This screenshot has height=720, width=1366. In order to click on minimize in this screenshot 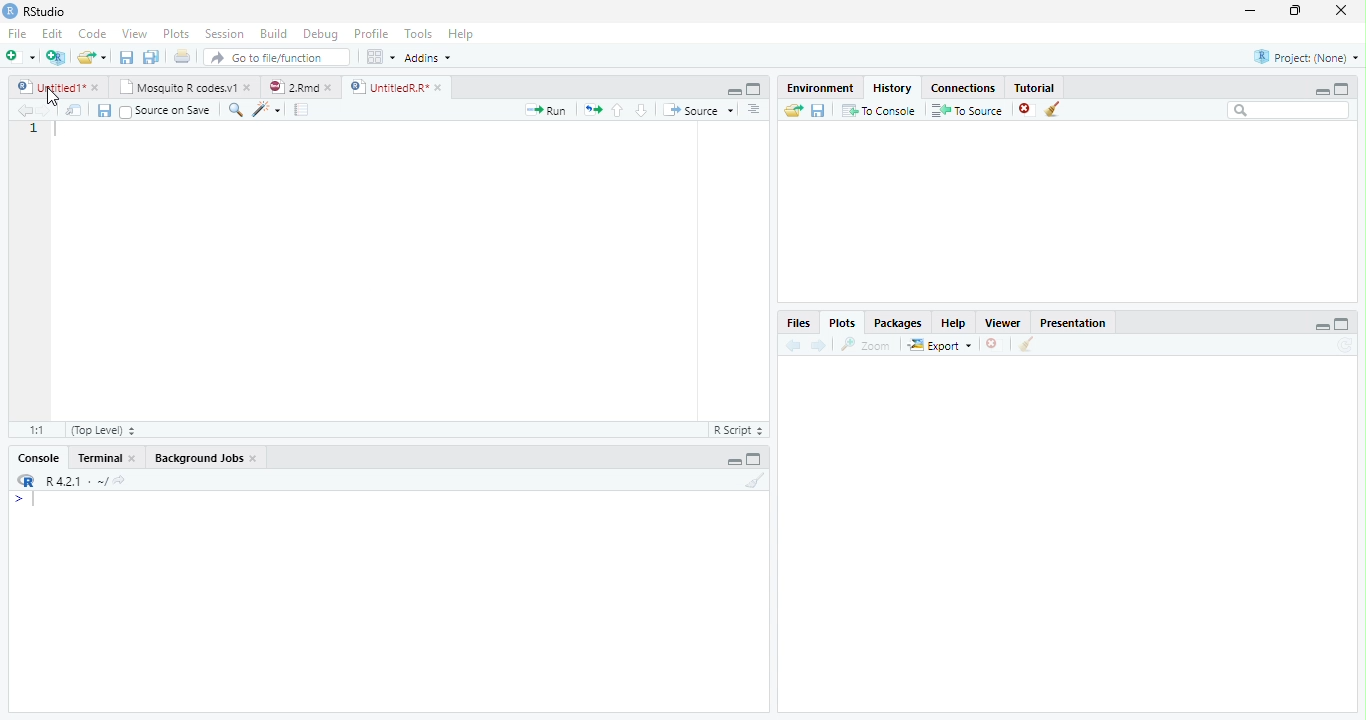, I will do `click(1323, 326)`.